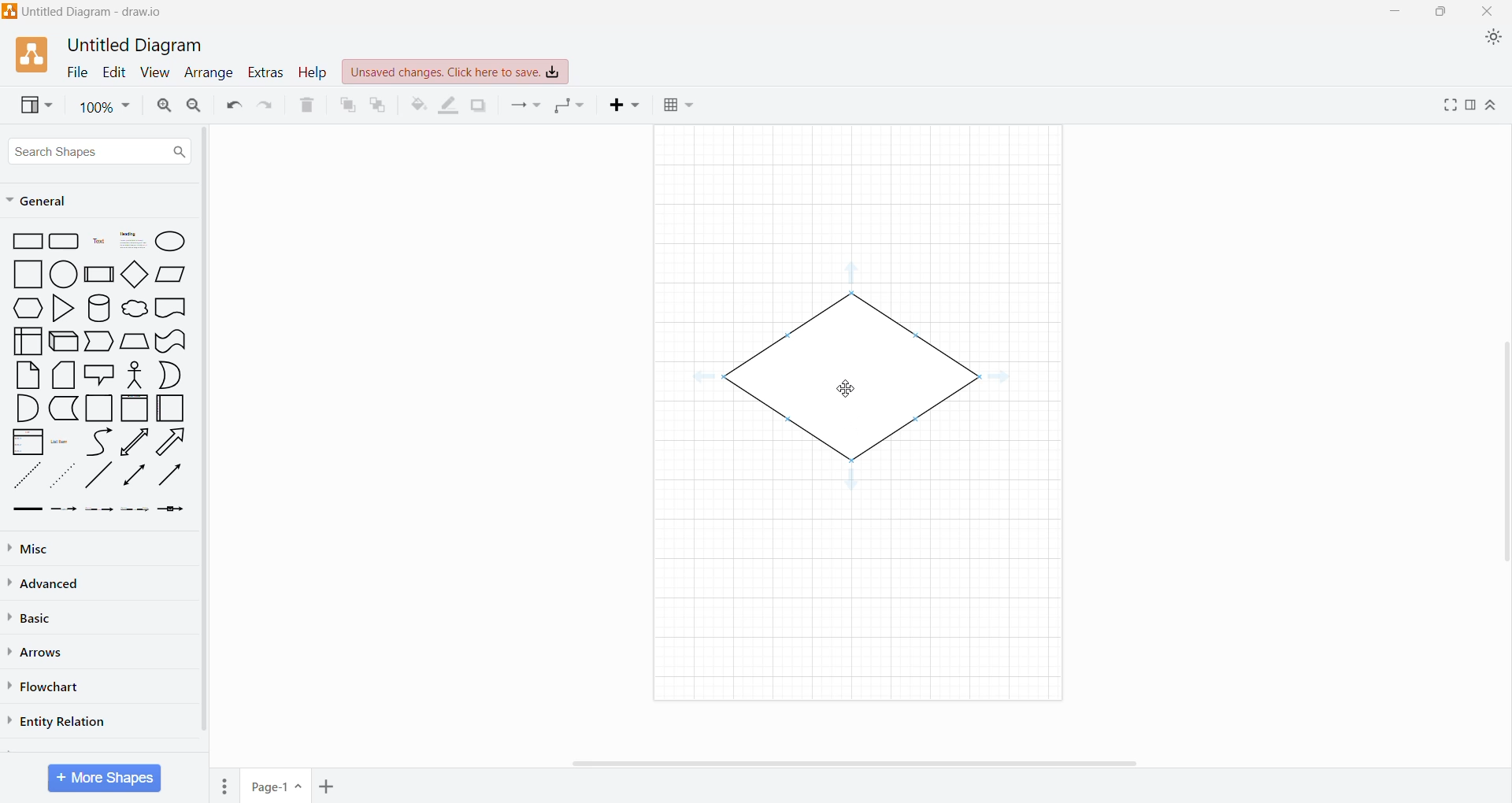 The width and height of the screenshot is (1512, 803). Describe the element at coordinates (417, 105) in the screenshot. I see `Fill Color` at that location.